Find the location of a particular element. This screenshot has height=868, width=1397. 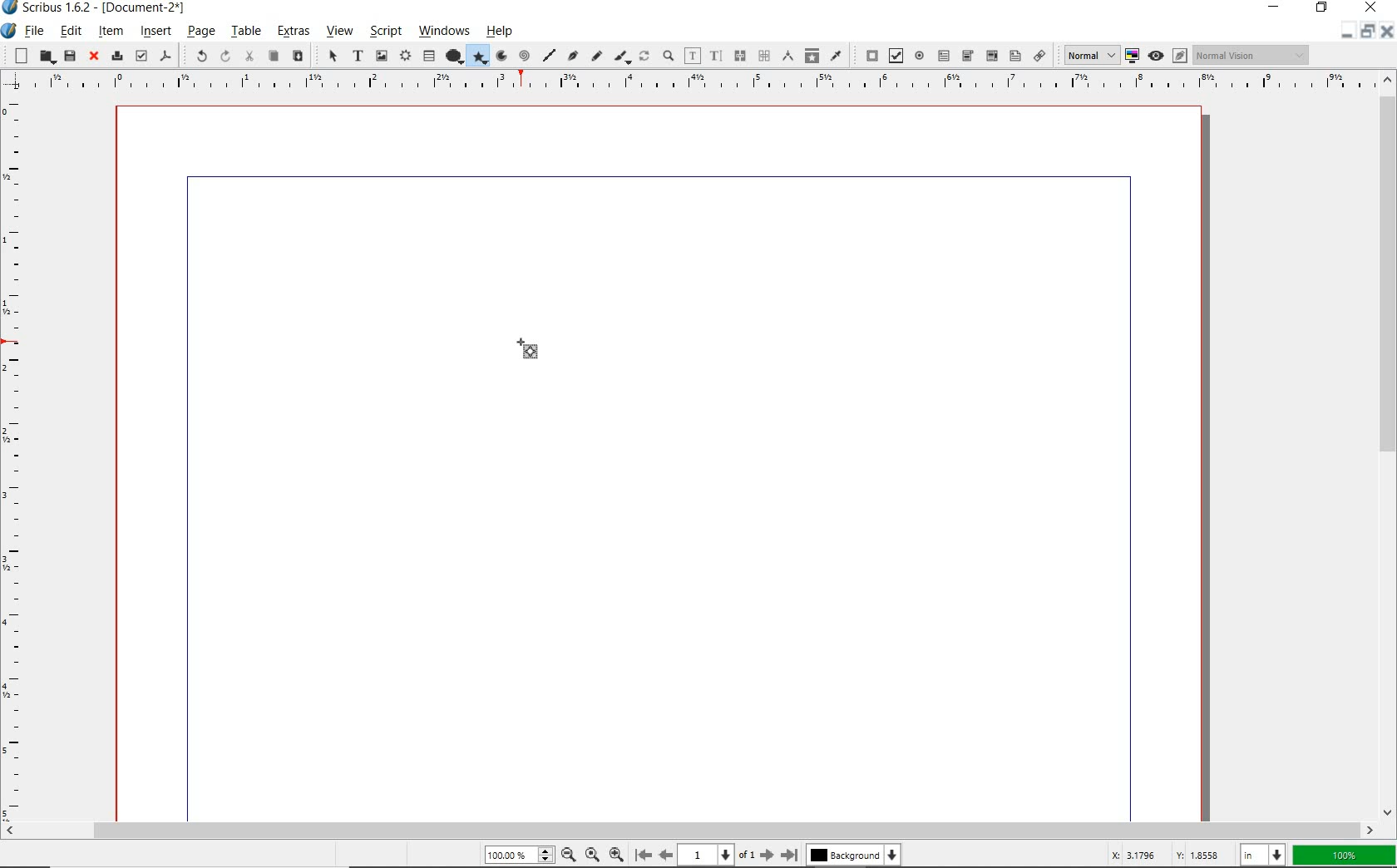

ruler is located at coordinates (17, 456).